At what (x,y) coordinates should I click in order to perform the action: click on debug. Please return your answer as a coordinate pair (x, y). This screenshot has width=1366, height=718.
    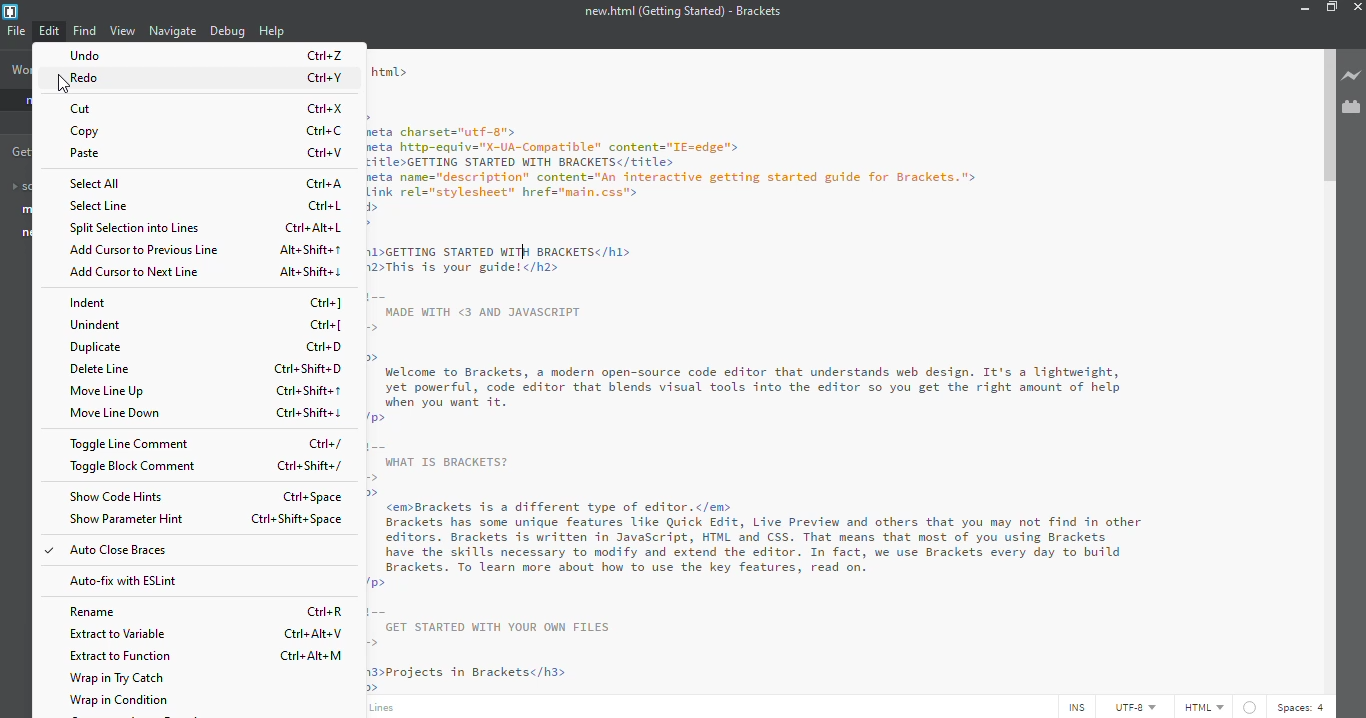
    Looking at the image, I should click on (227, 32).